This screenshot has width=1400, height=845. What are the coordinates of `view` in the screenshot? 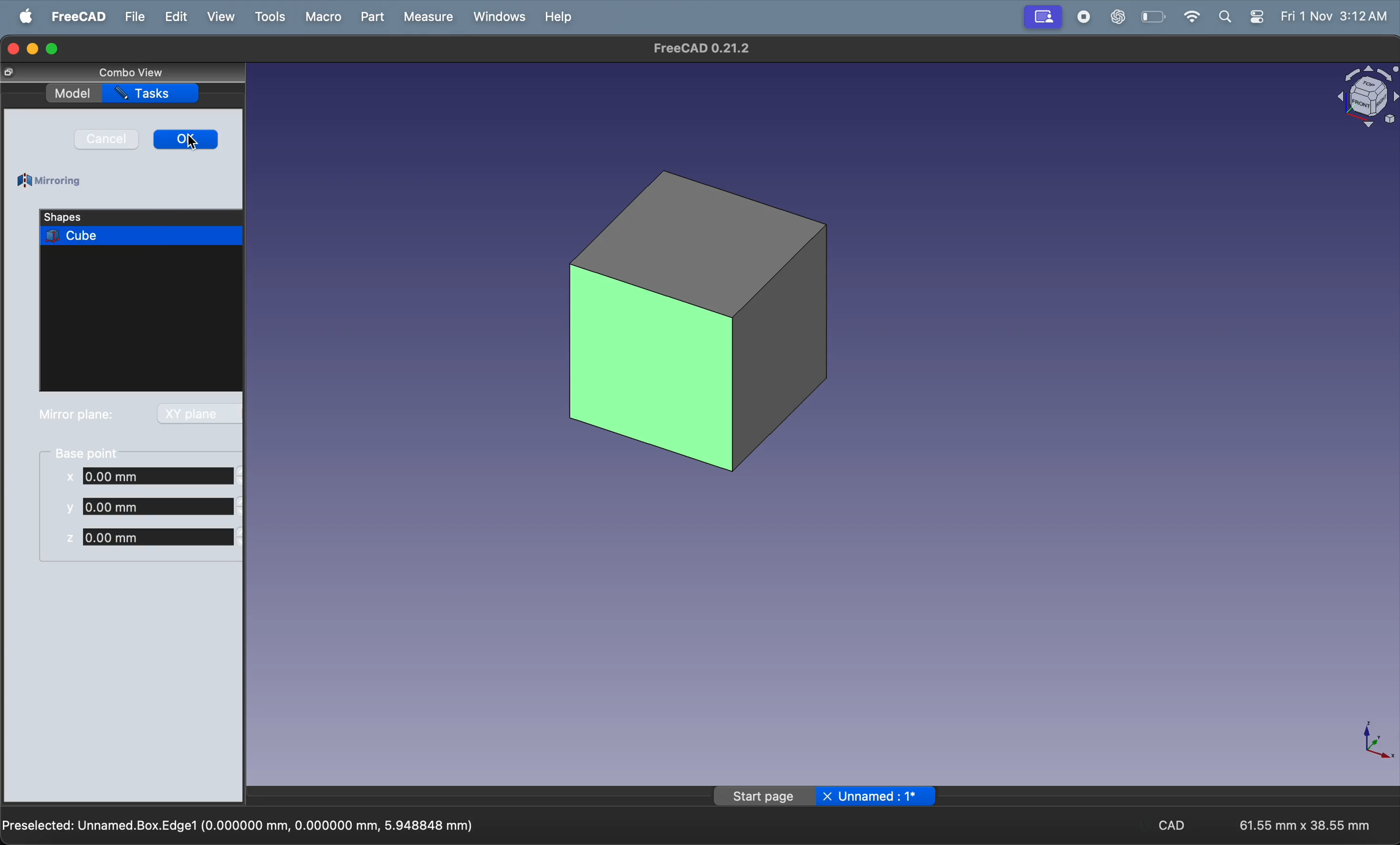 It's located at (220, 16).